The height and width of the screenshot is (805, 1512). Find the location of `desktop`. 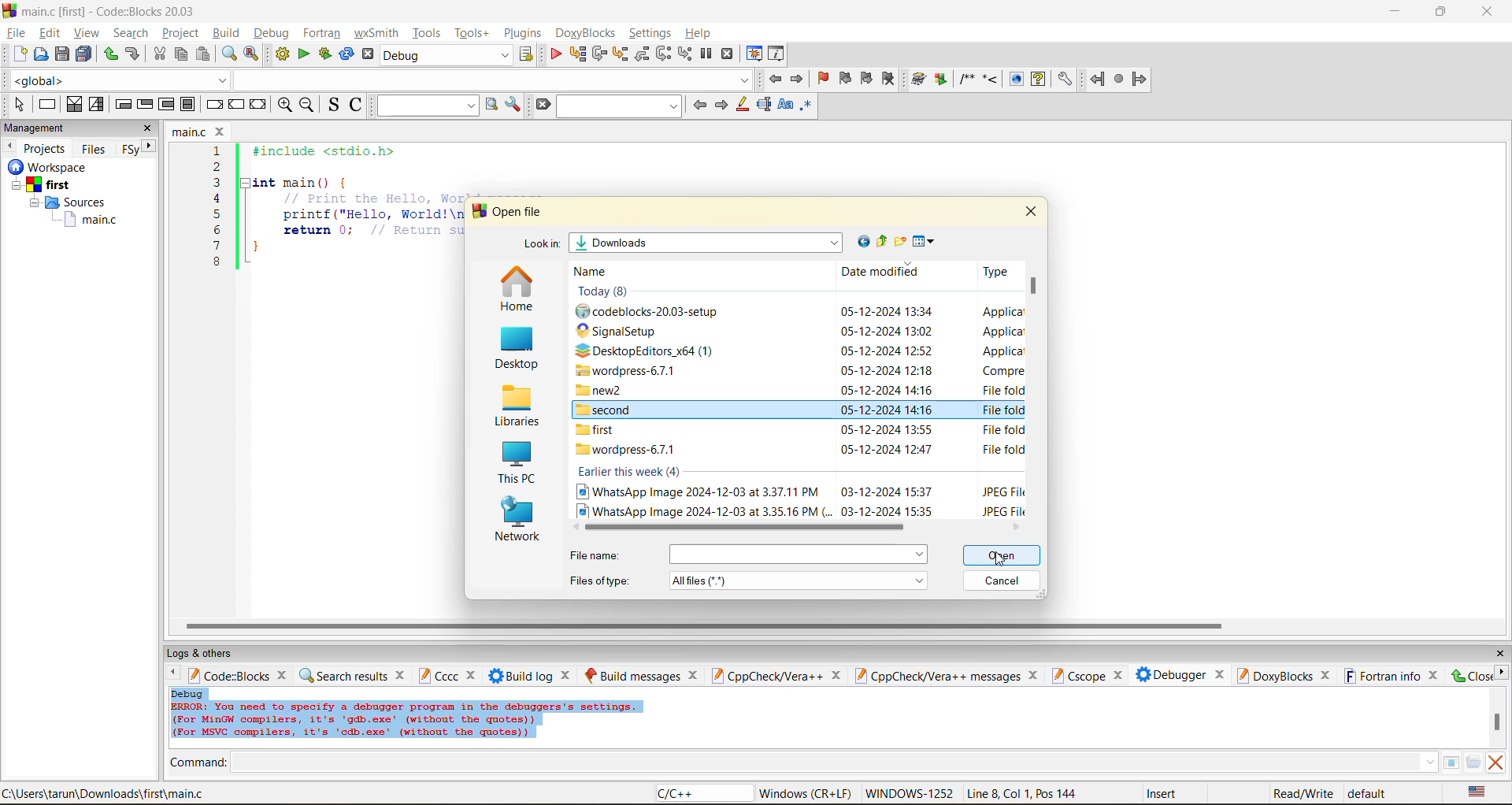

desktop is located at coordinates (514, 350).